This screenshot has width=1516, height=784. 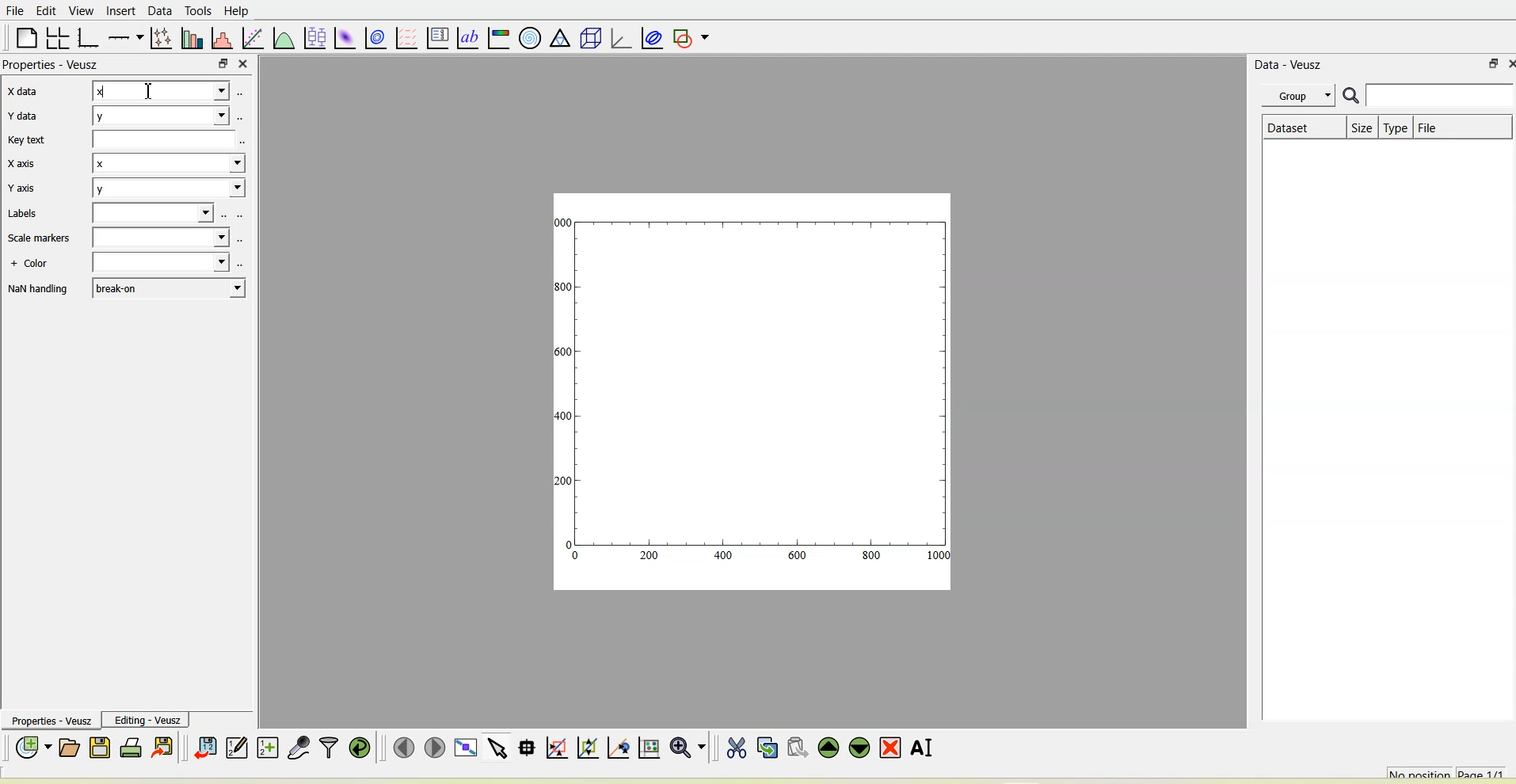 What do you see at coordinates (563, 352) in the screenshot?
I see `1600!` at bounding box center [563, 352].